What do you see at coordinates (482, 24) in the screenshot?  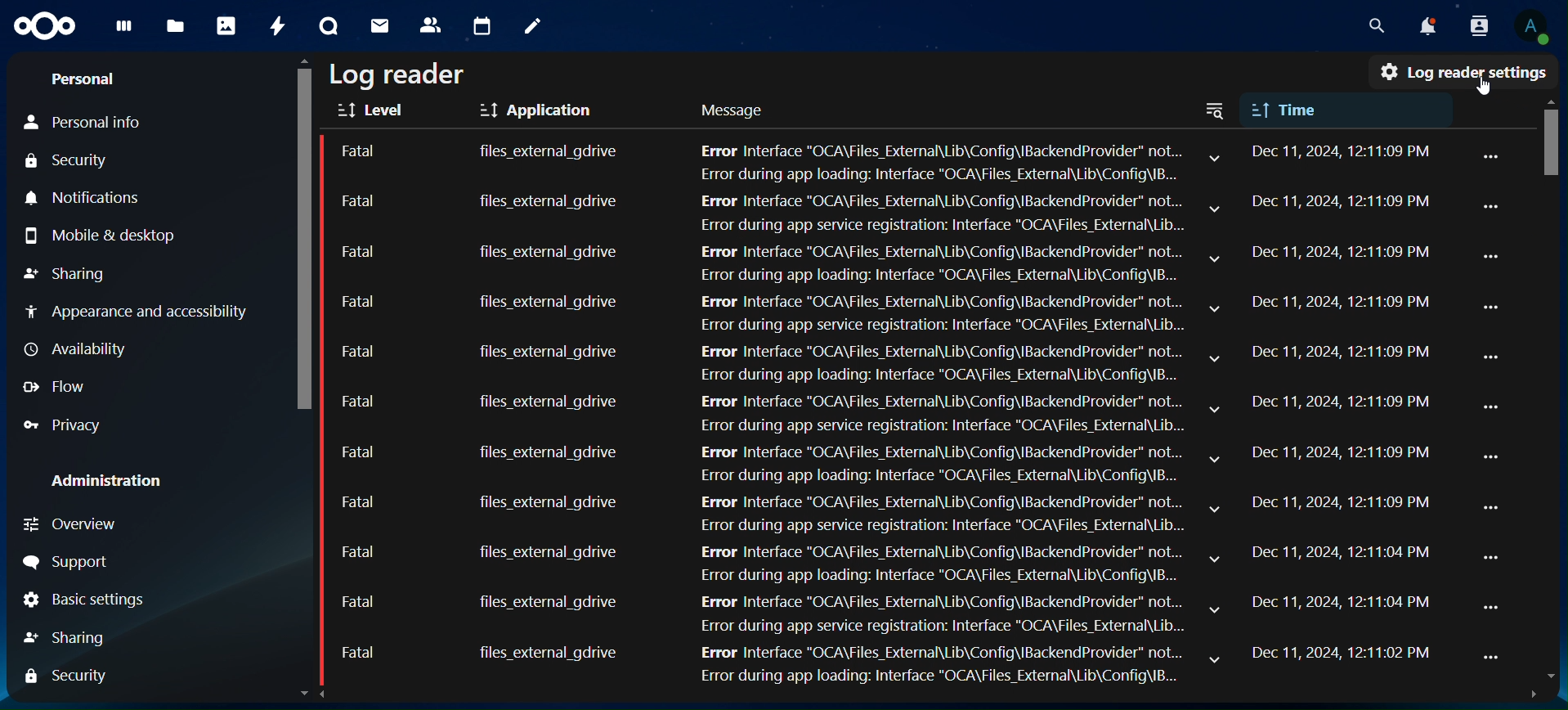 I see `calendar` at bounding box center [482, 24].